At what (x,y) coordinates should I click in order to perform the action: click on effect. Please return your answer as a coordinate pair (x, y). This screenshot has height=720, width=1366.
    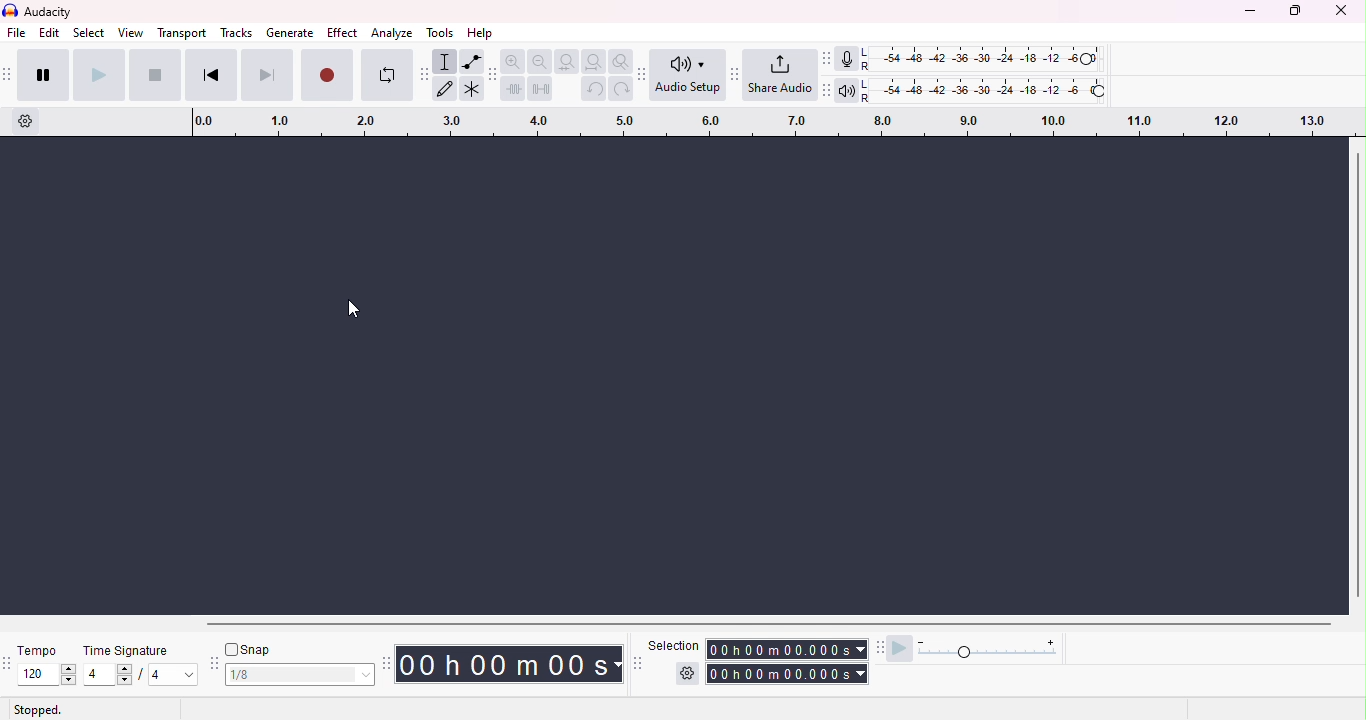
    Looking at the image, I should click on (342, 32).